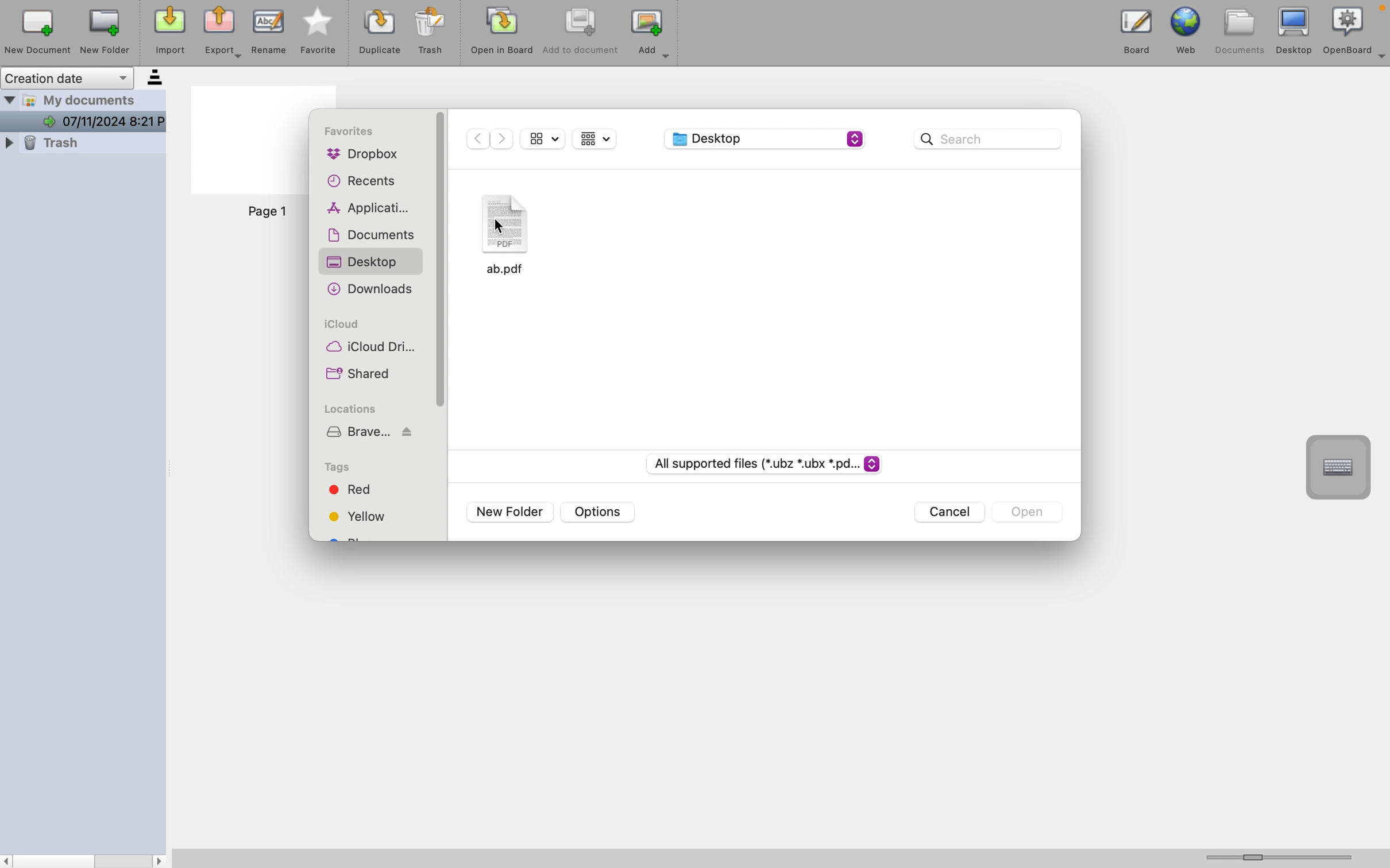 The image size is (1390, 868). Describe the element at coordinates (35, 31) in the screenshot. I see `new document` at that location.